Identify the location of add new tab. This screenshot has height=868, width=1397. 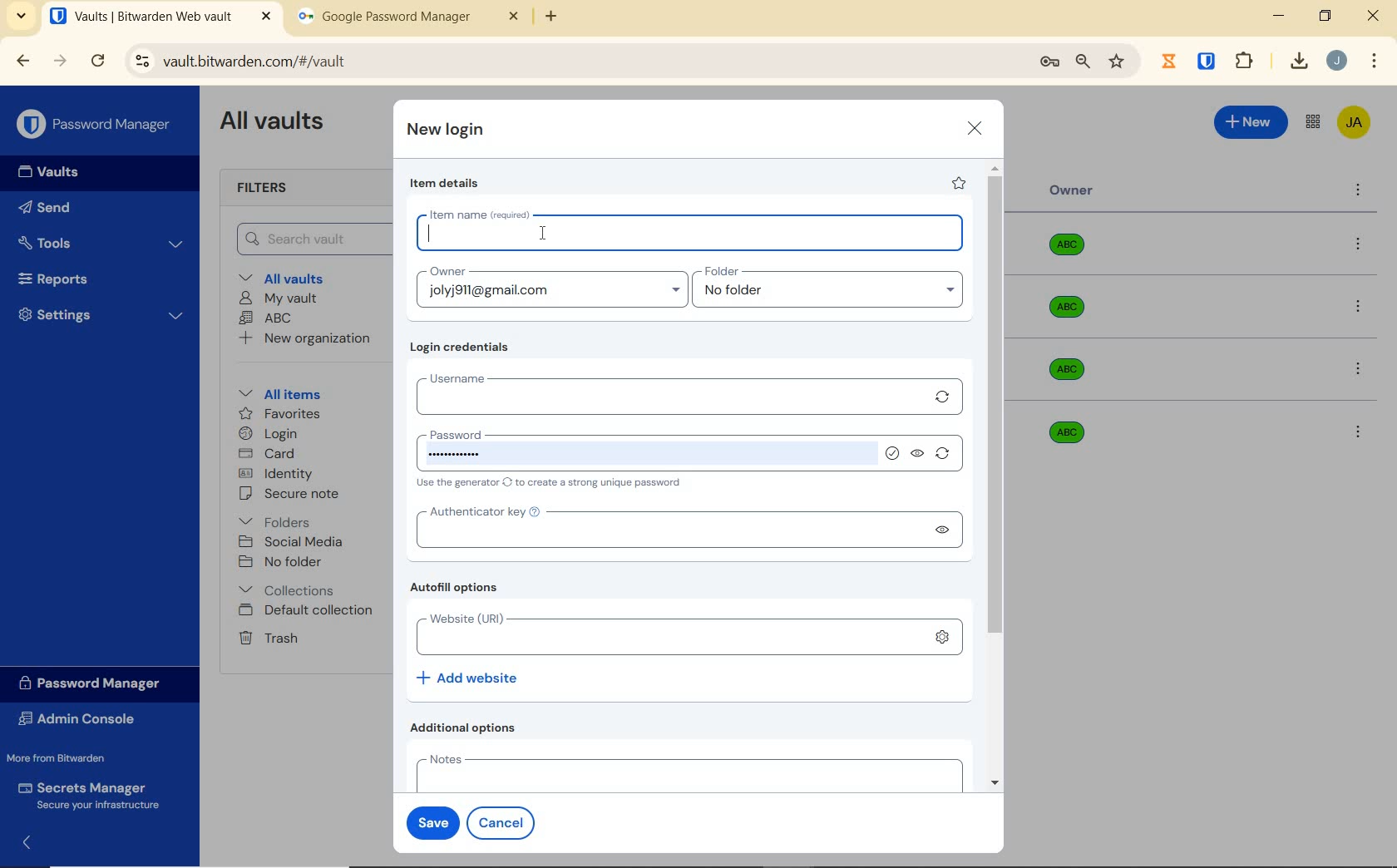
(564, 21).